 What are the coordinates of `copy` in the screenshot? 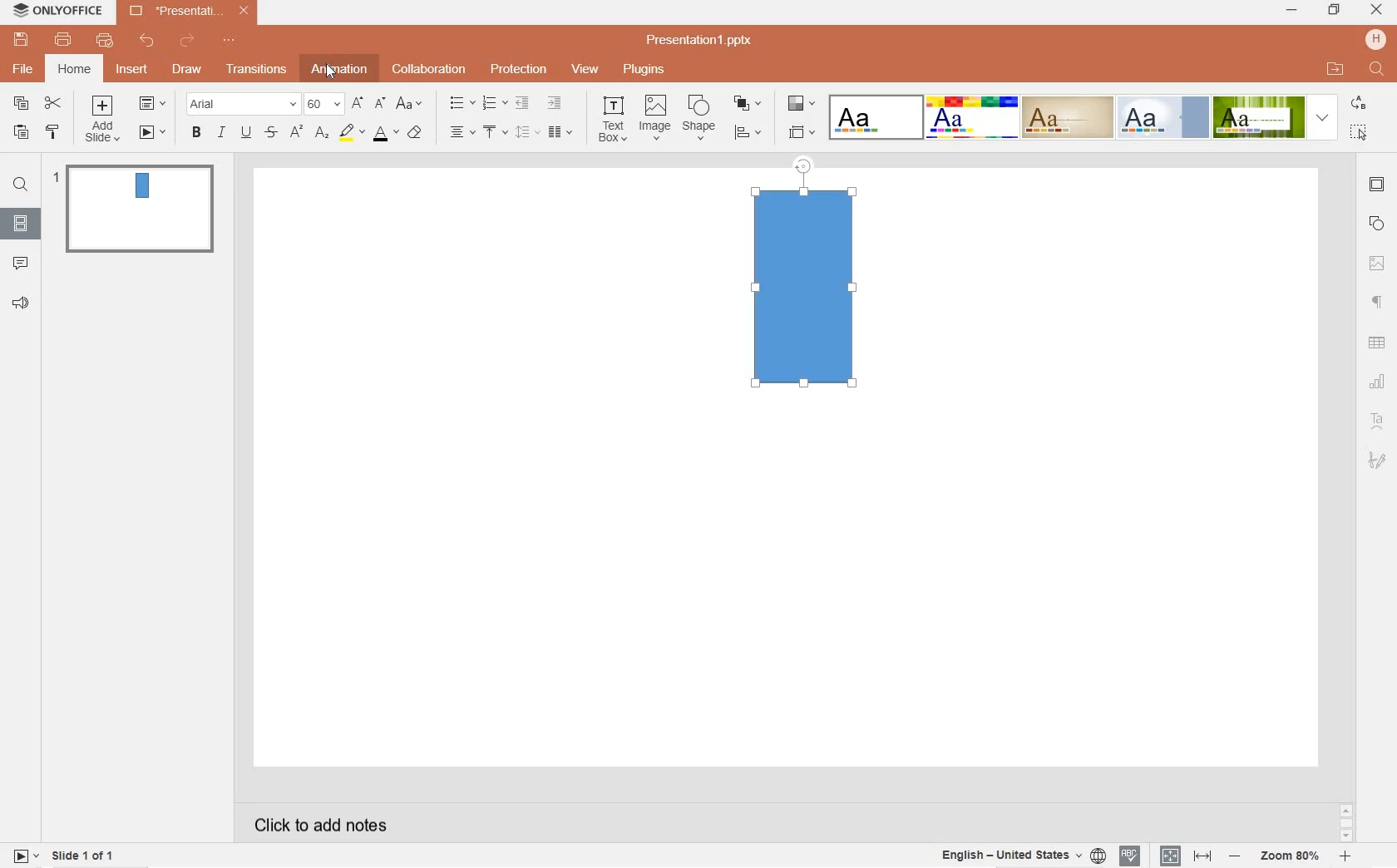 It's located at (22, 103).